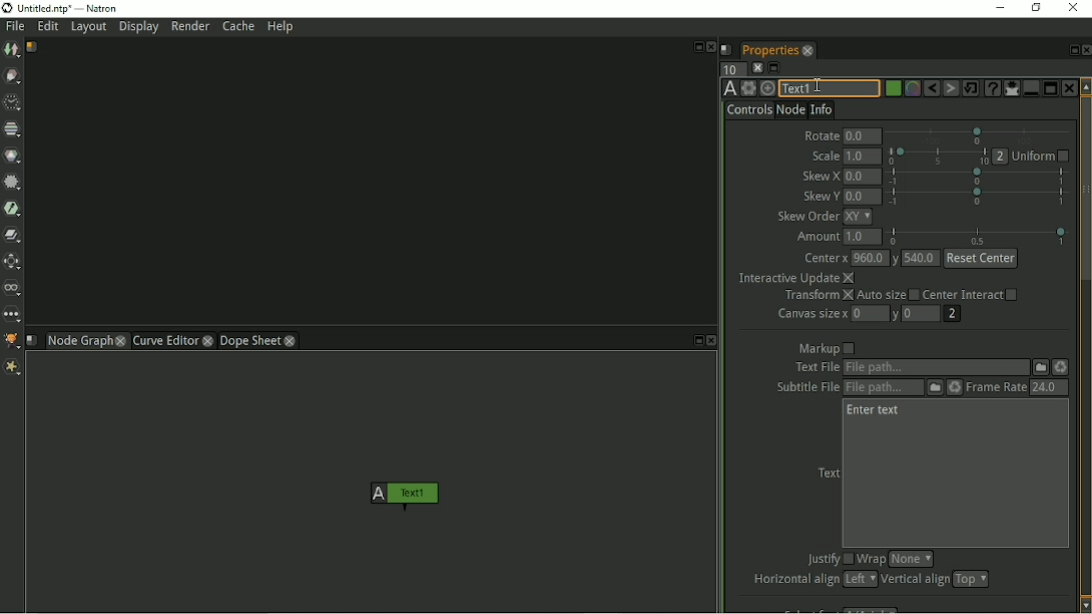 This screenshot has width=1092, height=614. I want to click on close, so click(291, 340).